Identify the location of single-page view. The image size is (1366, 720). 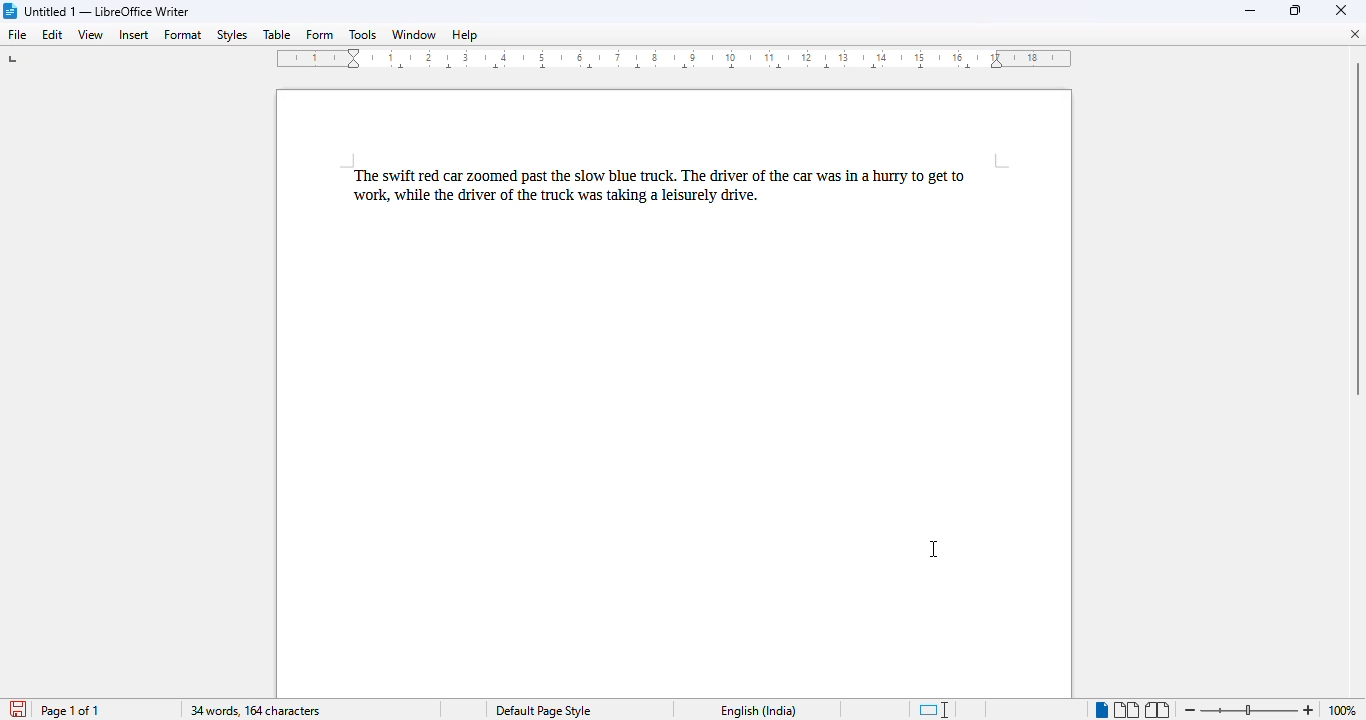
(1101, 710).